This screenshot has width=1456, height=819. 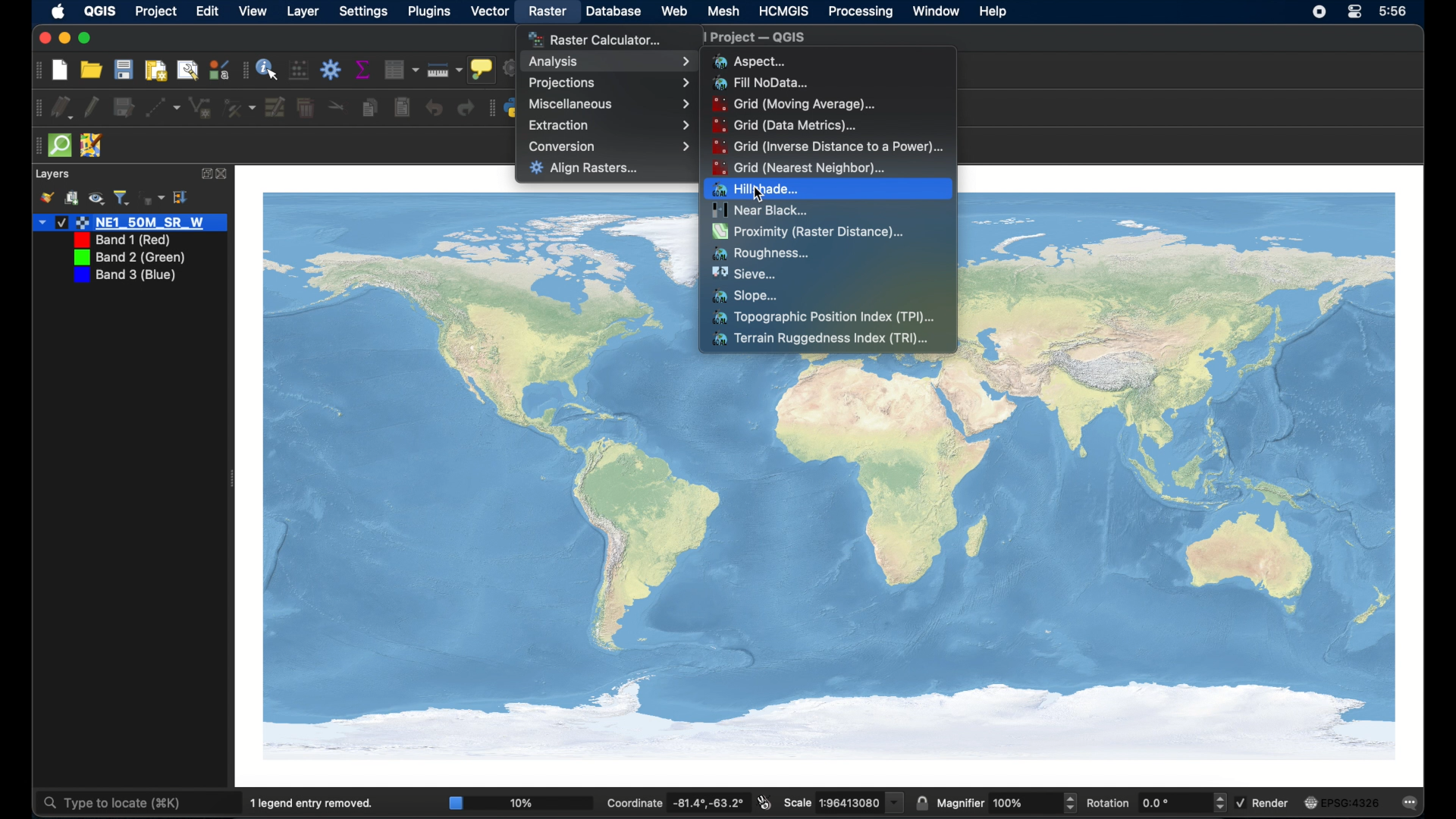 What do you see at coordinates (111, 804) in the screenshot?
I see `type to locate ` at bounding box center [111, 804].